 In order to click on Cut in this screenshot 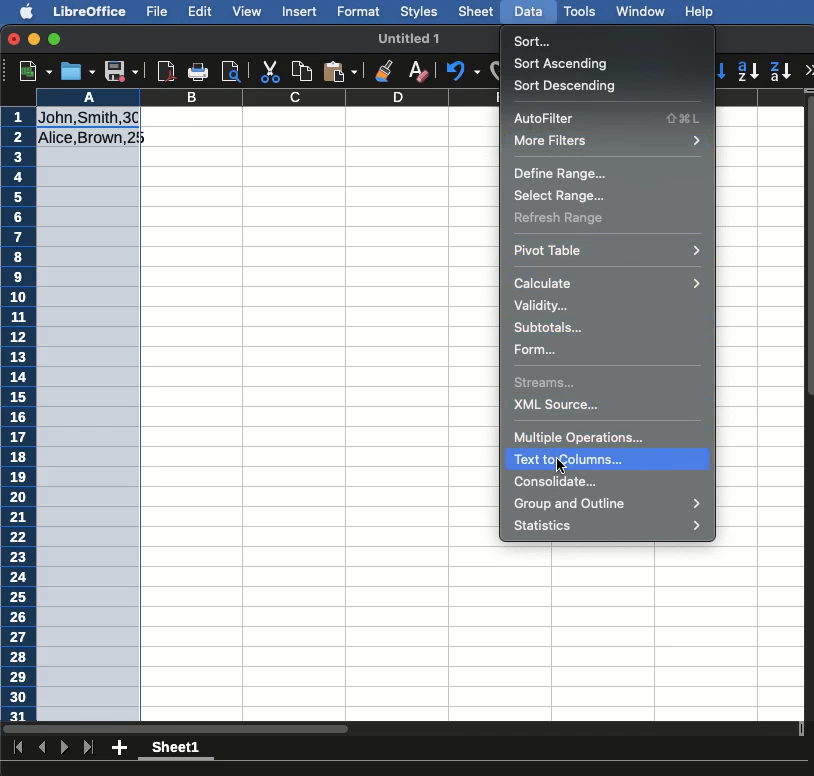, I will do `click(271, 69)`.